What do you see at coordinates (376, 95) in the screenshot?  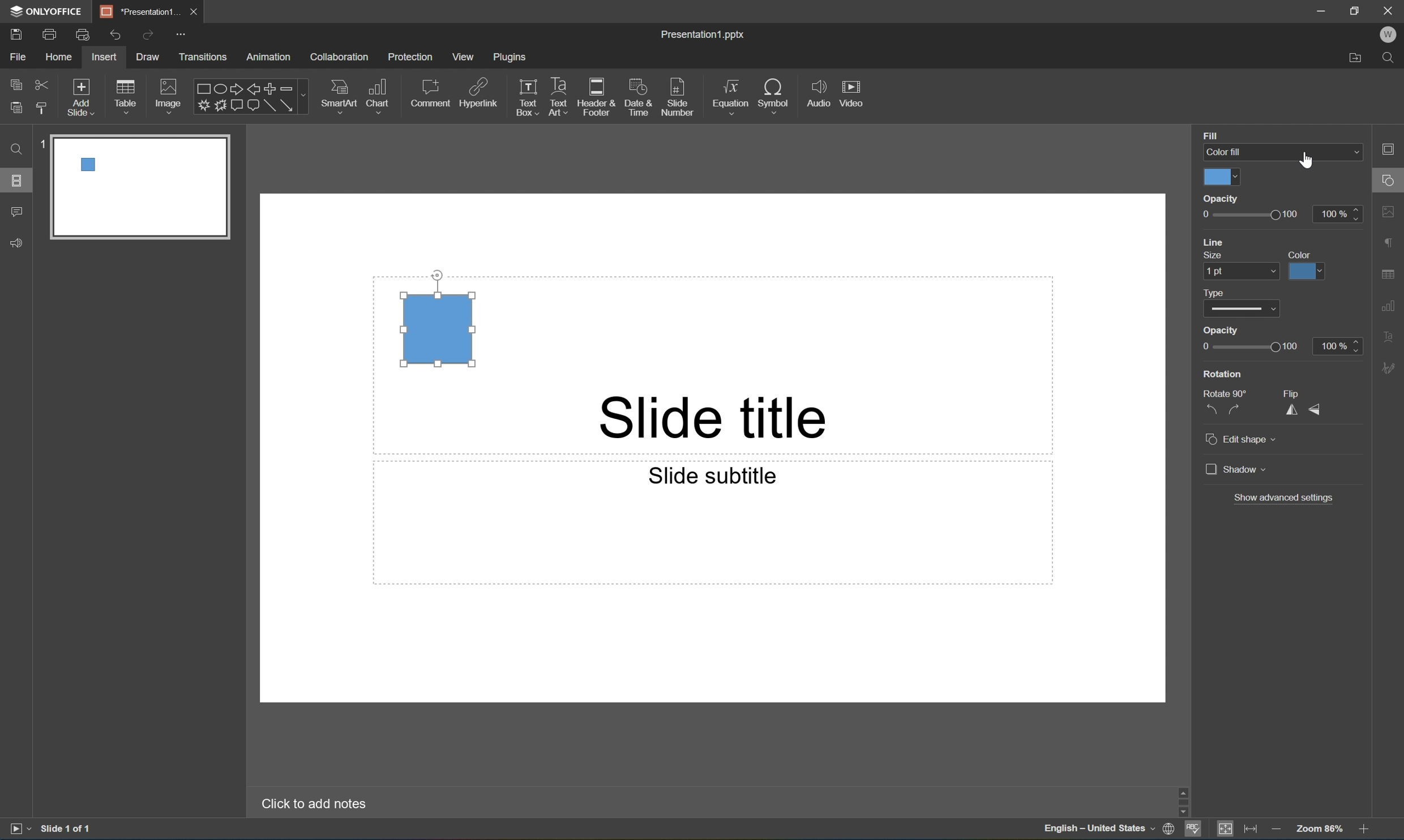 I see `Chart` at bounding box center [376, 95].